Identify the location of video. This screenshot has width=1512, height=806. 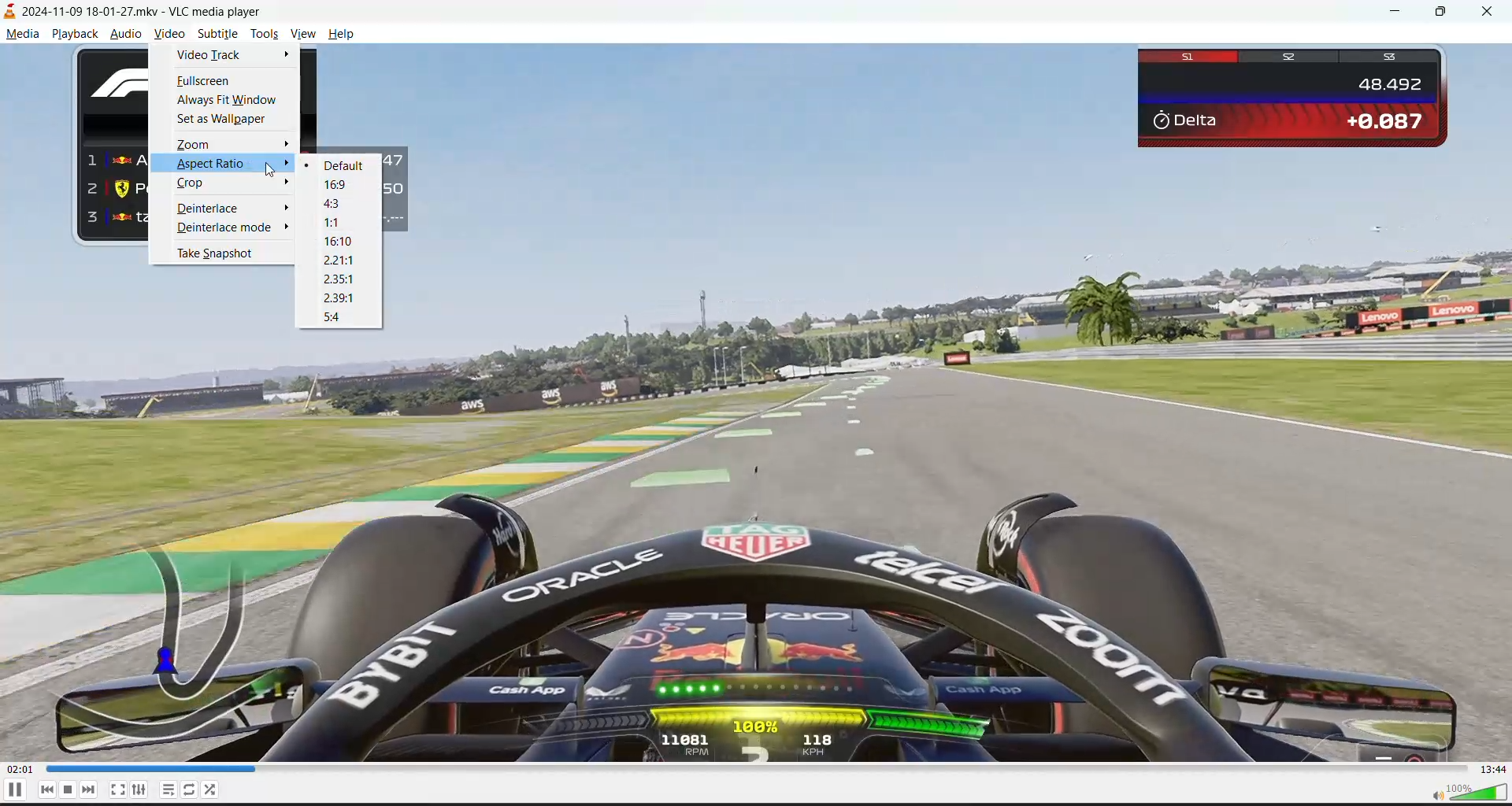
(169, 36).